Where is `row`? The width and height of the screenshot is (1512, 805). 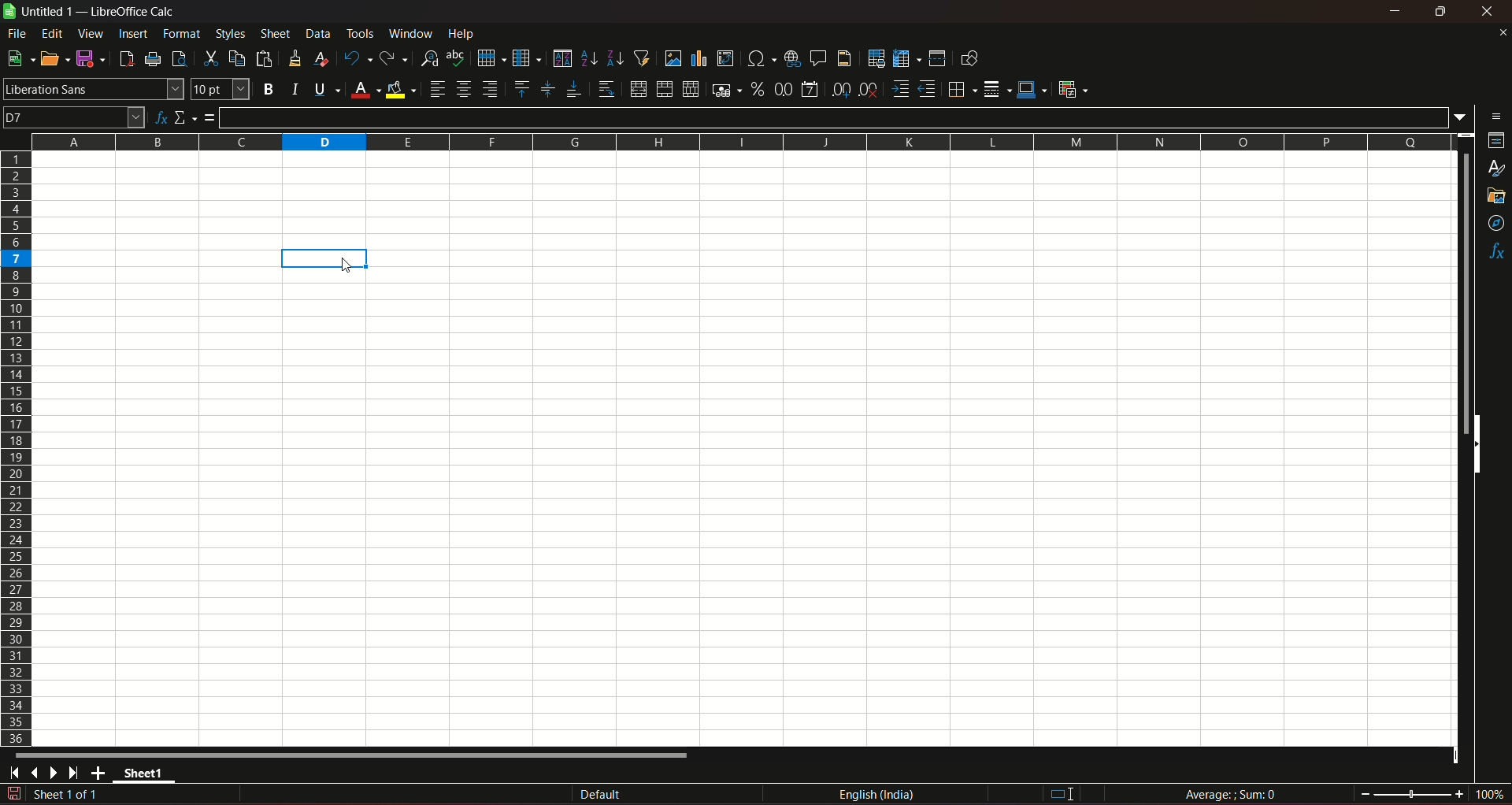
row is located at coordinates (487, 57).